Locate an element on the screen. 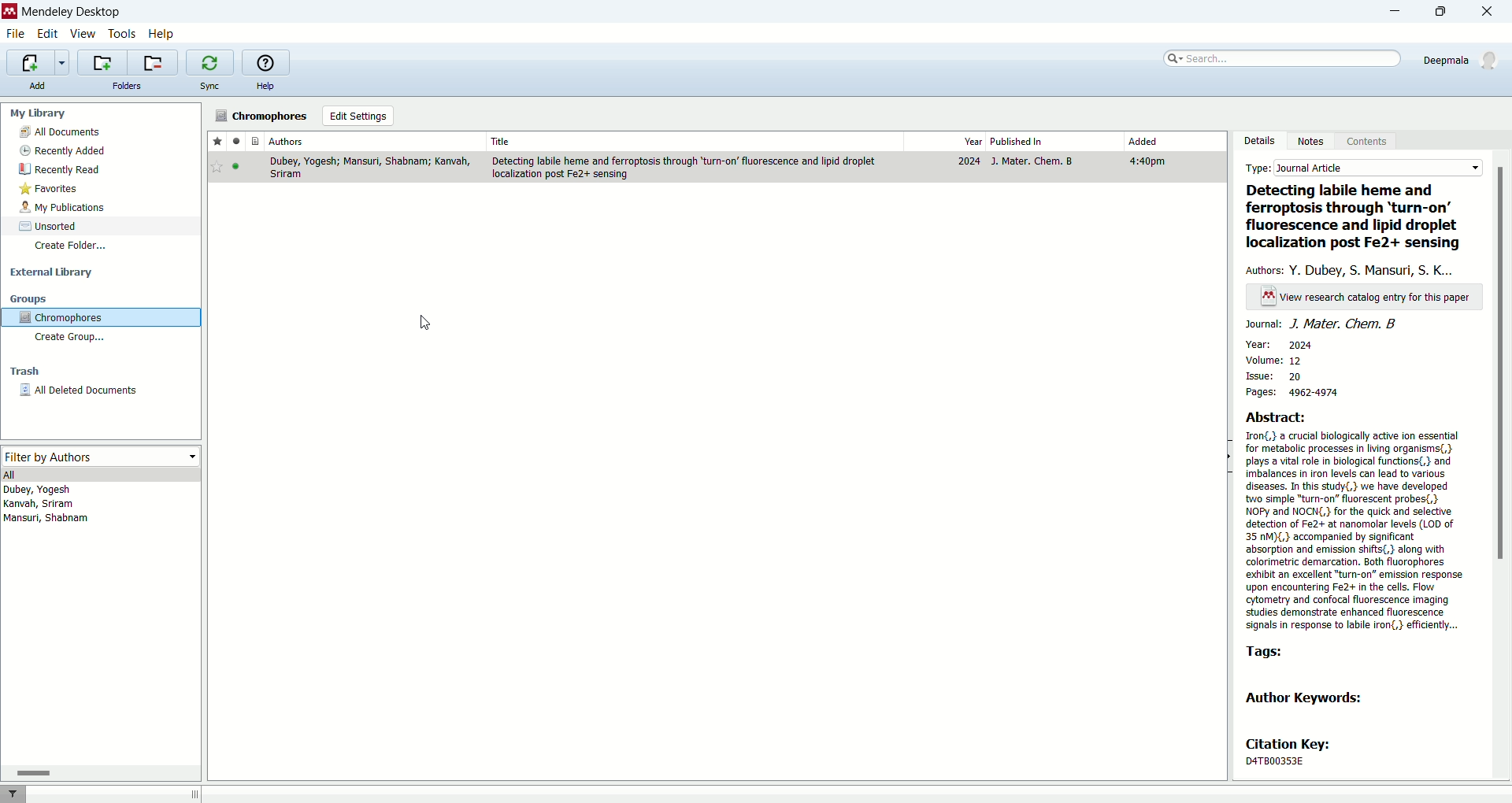 The width and height of the screenshot is (1512, 803). year is located at coordinates (943, 141).